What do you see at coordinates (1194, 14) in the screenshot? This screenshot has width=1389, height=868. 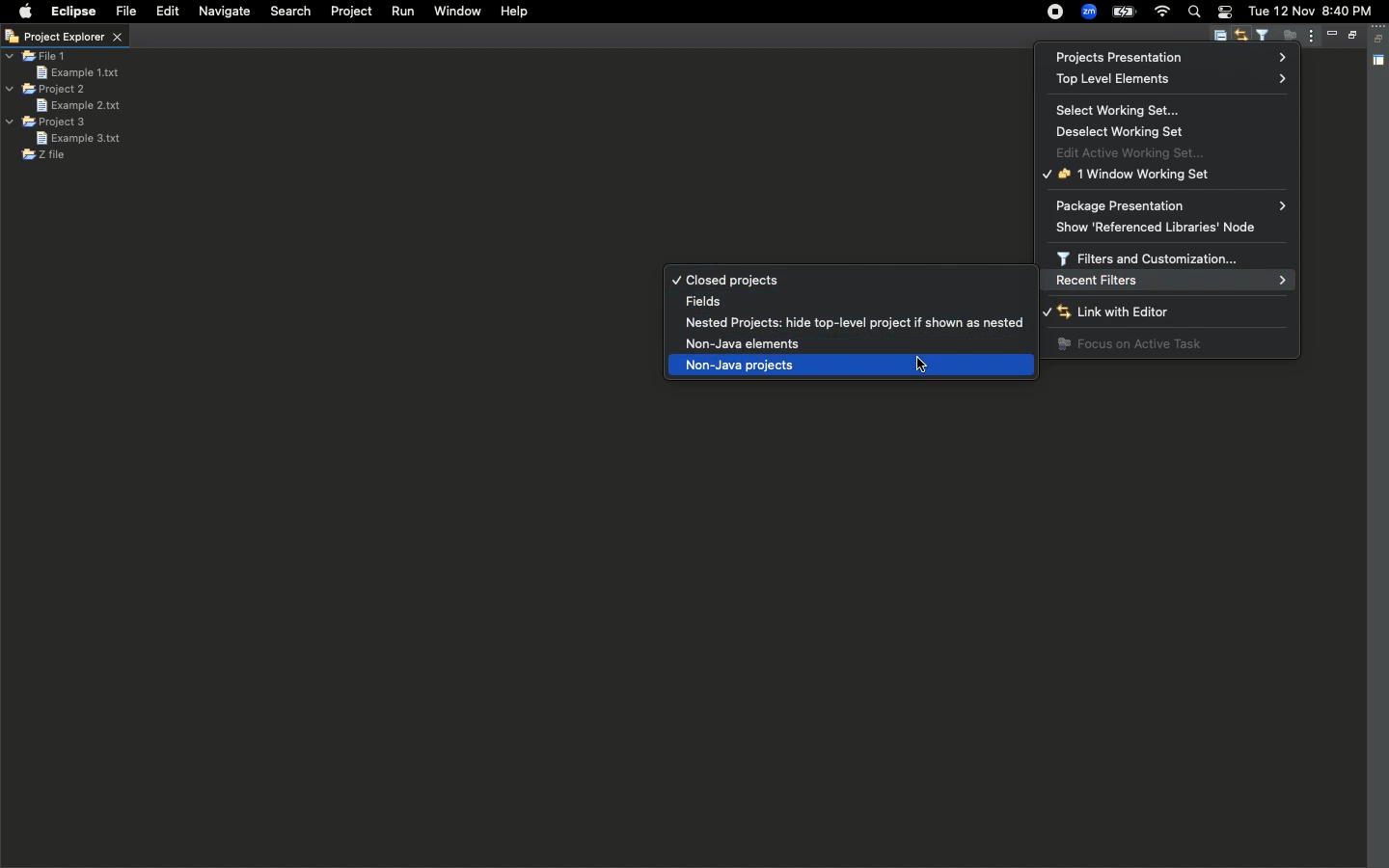 I see `Search` at bounding box center [1194, 14].